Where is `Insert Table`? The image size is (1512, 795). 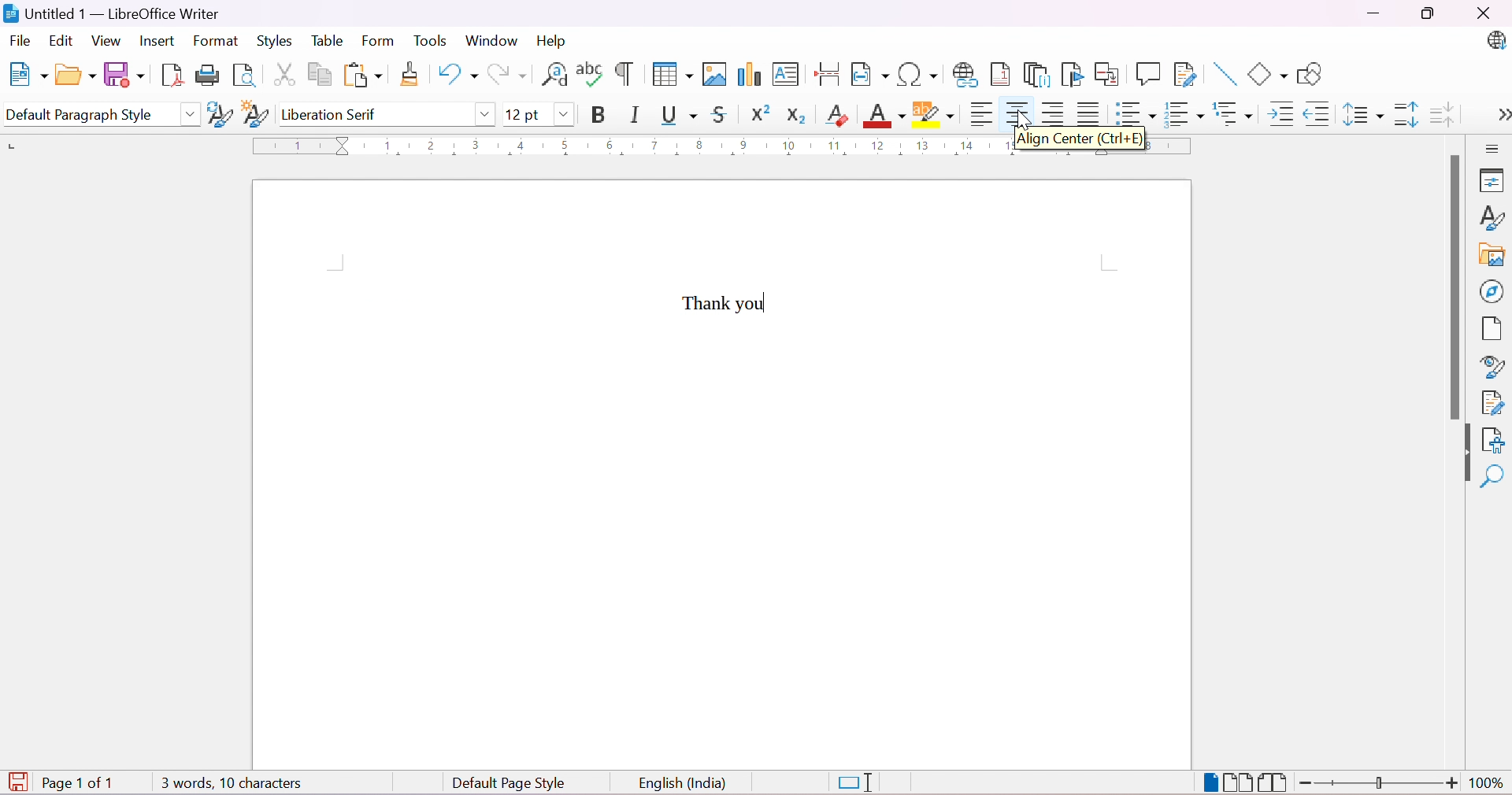
Insert Table is located at coordinates (713, 73).